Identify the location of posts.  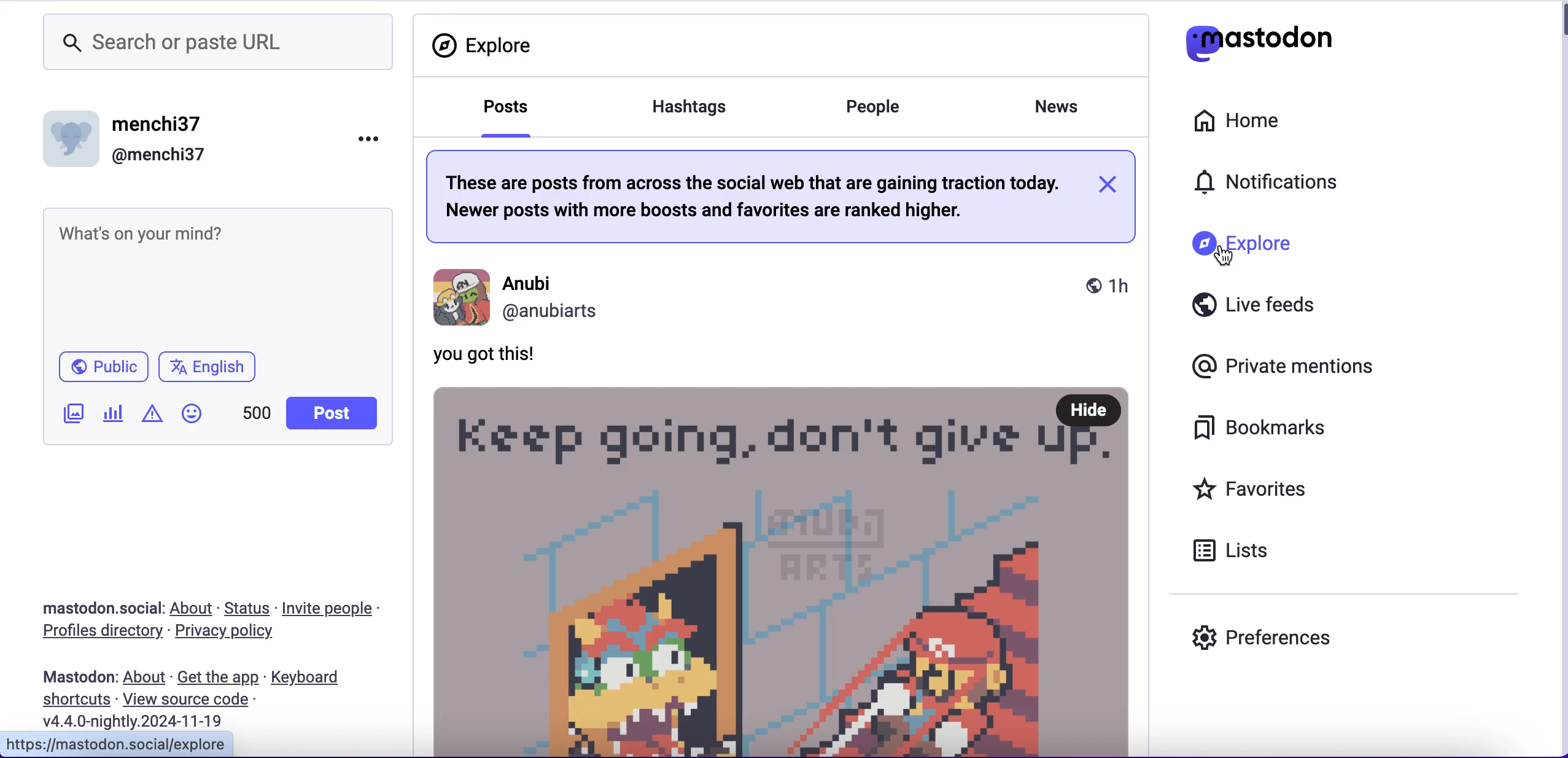
(779, 572).